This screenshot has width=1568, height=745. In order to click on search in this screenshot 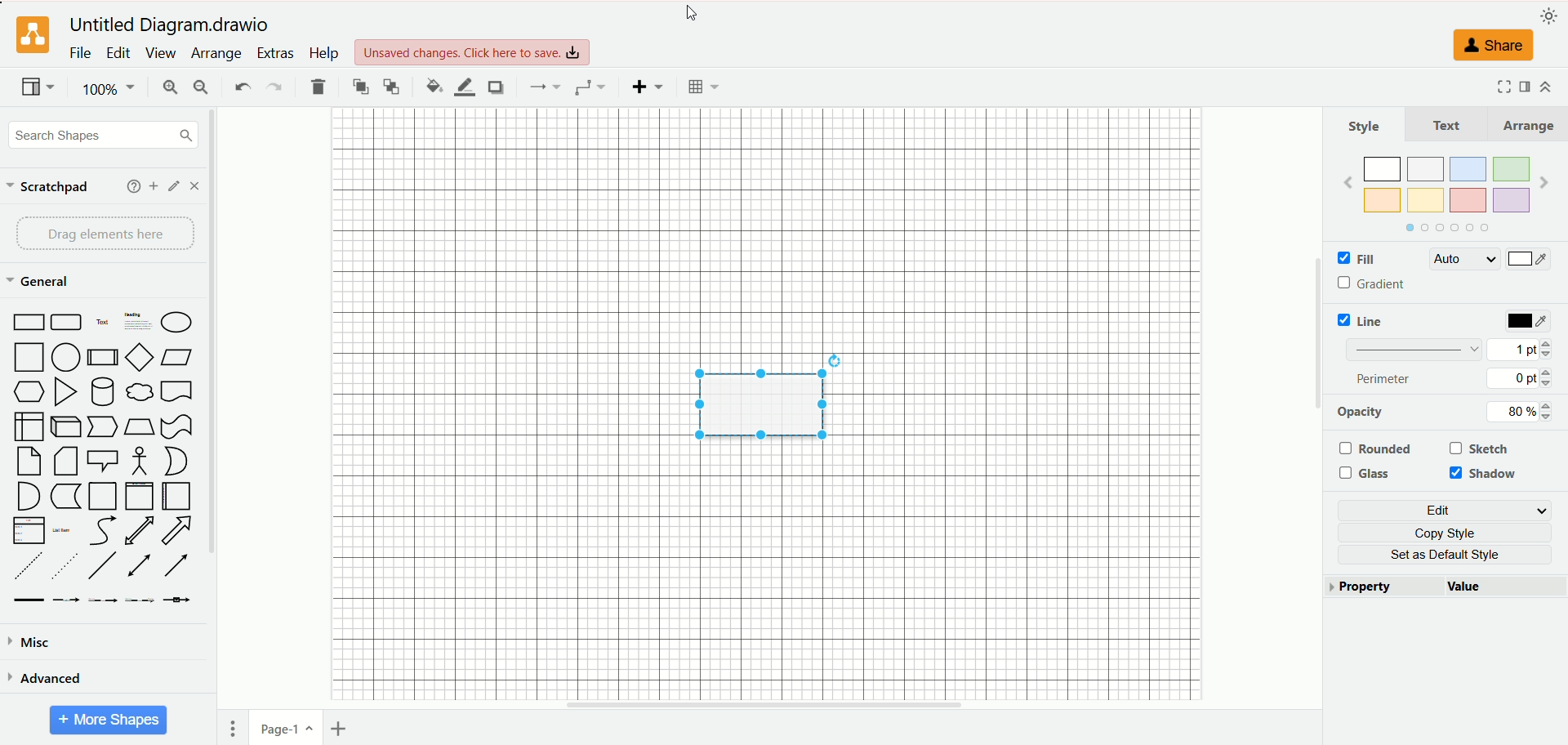, I will do `click(104, 136)`.